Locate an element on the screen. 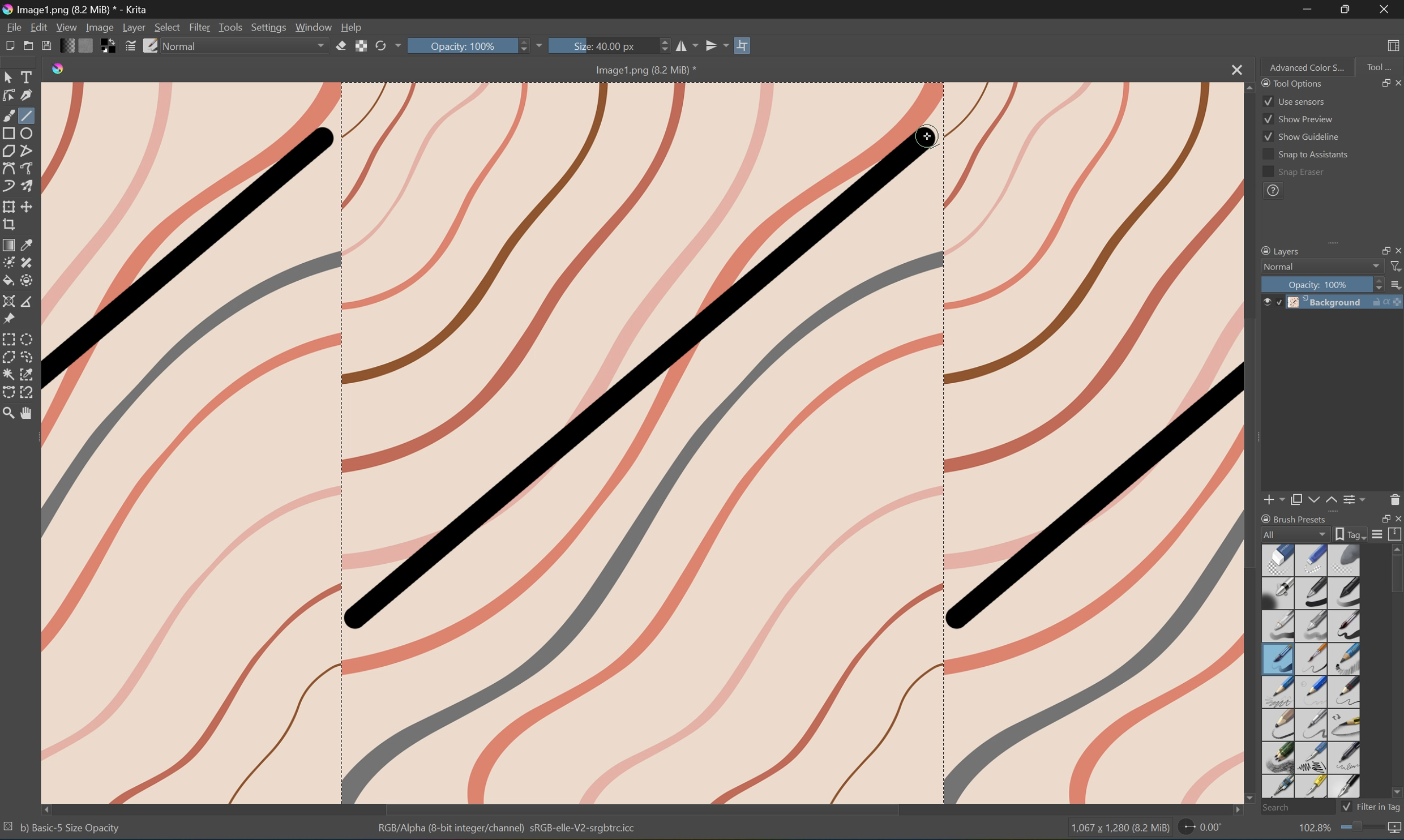 The image size is (1404, 840). Scroll Left is located at coordinates (48, 808).